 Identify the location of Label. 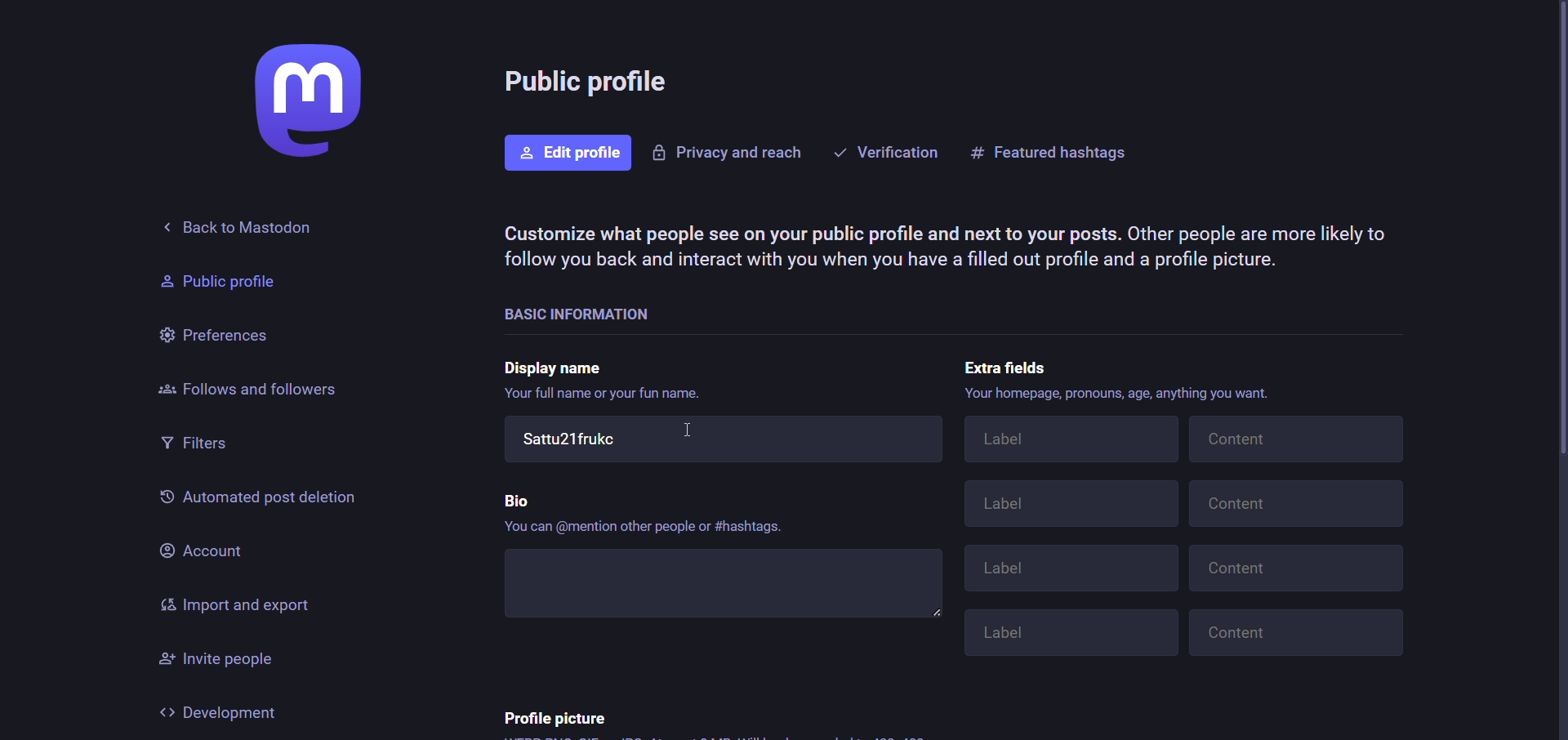
(1066, 438).